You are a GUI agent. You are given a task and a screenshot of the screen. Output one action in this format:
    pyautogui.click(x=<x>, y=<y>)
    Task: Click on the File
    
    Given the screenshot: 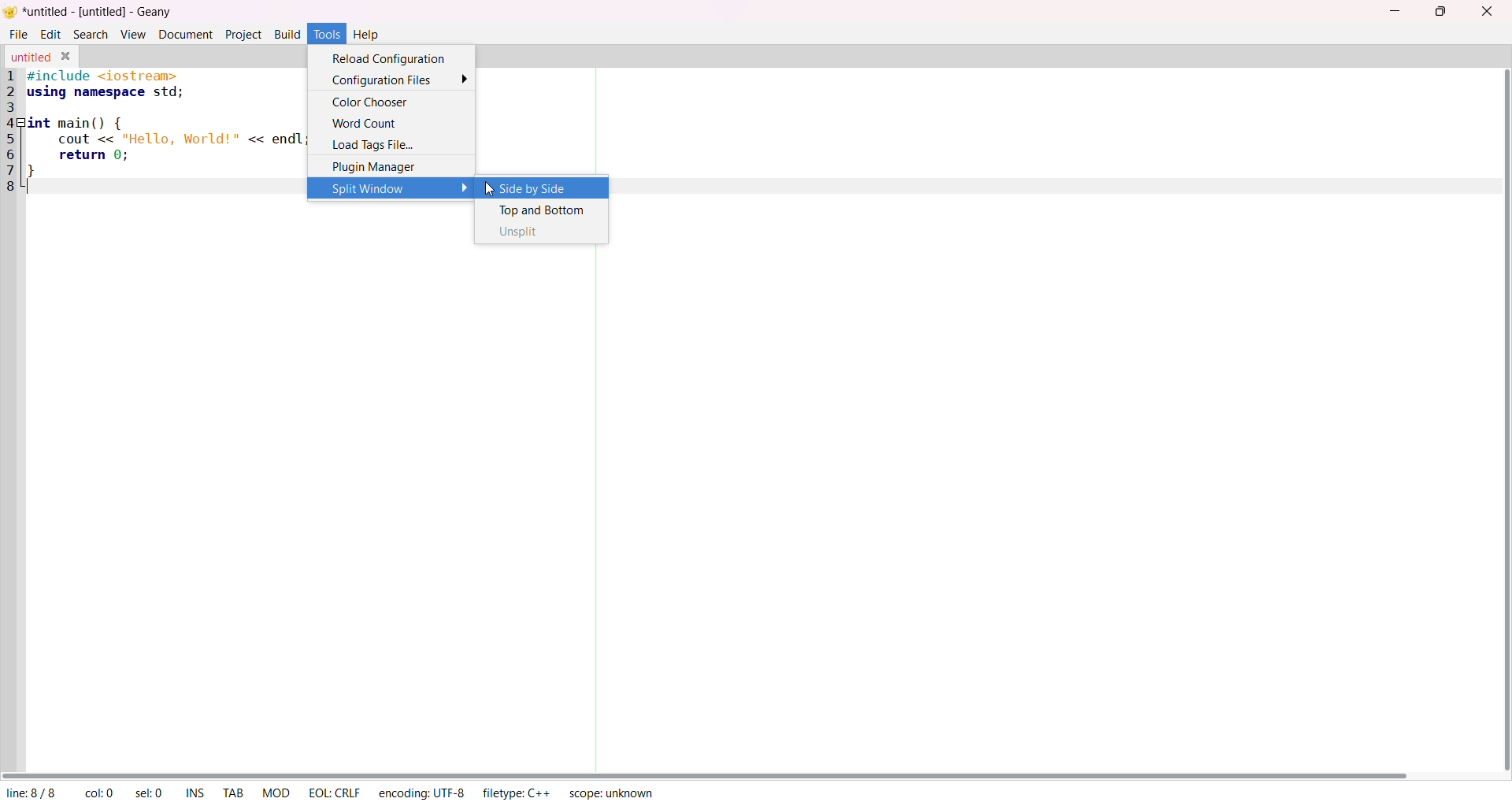 What is the action you would take?
    pyautogui.click(x=18, y=34)
    